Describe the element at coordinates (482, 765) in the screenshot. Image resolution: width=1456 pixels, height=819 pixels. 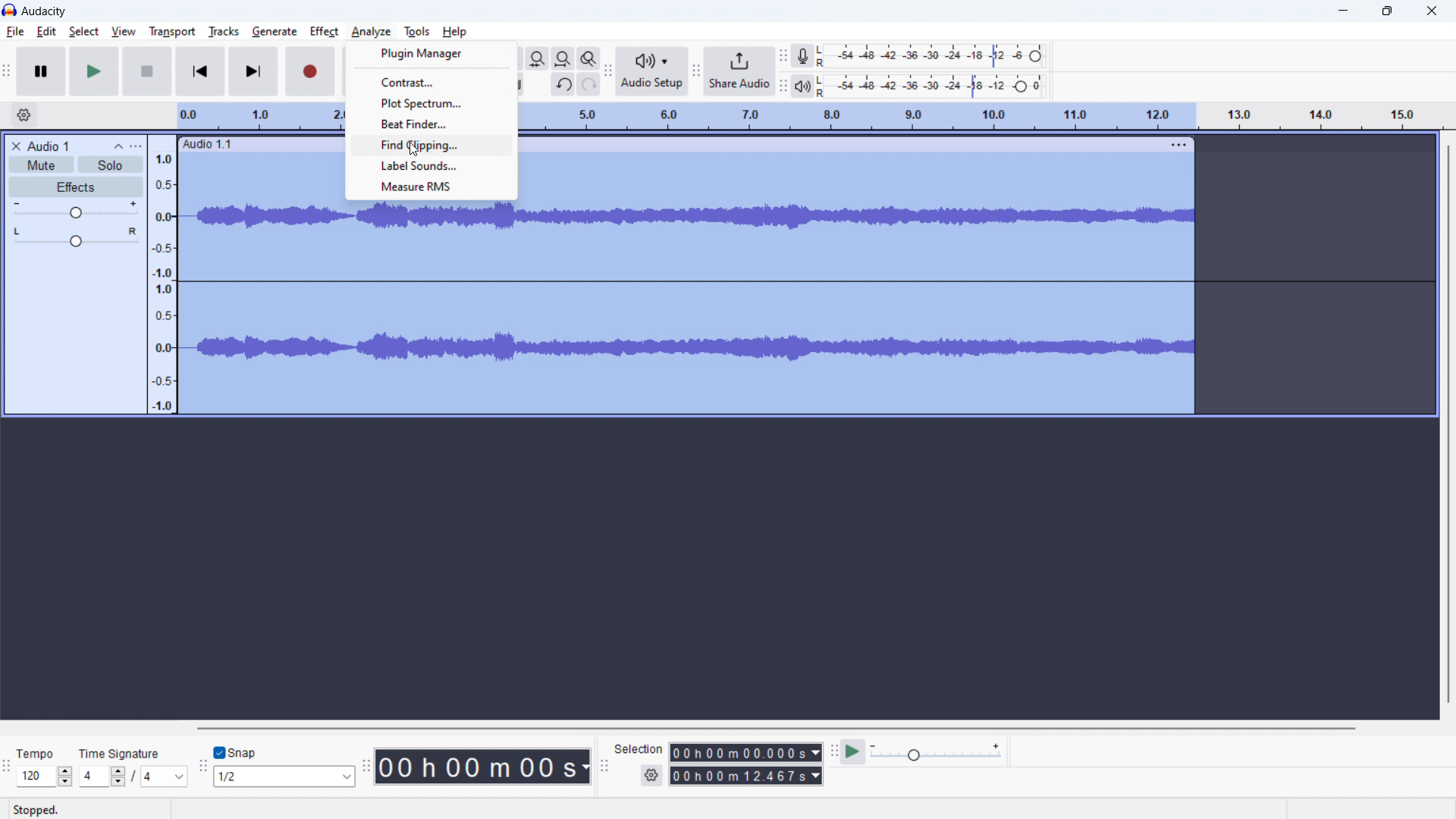
I see `time stamp` at that location.